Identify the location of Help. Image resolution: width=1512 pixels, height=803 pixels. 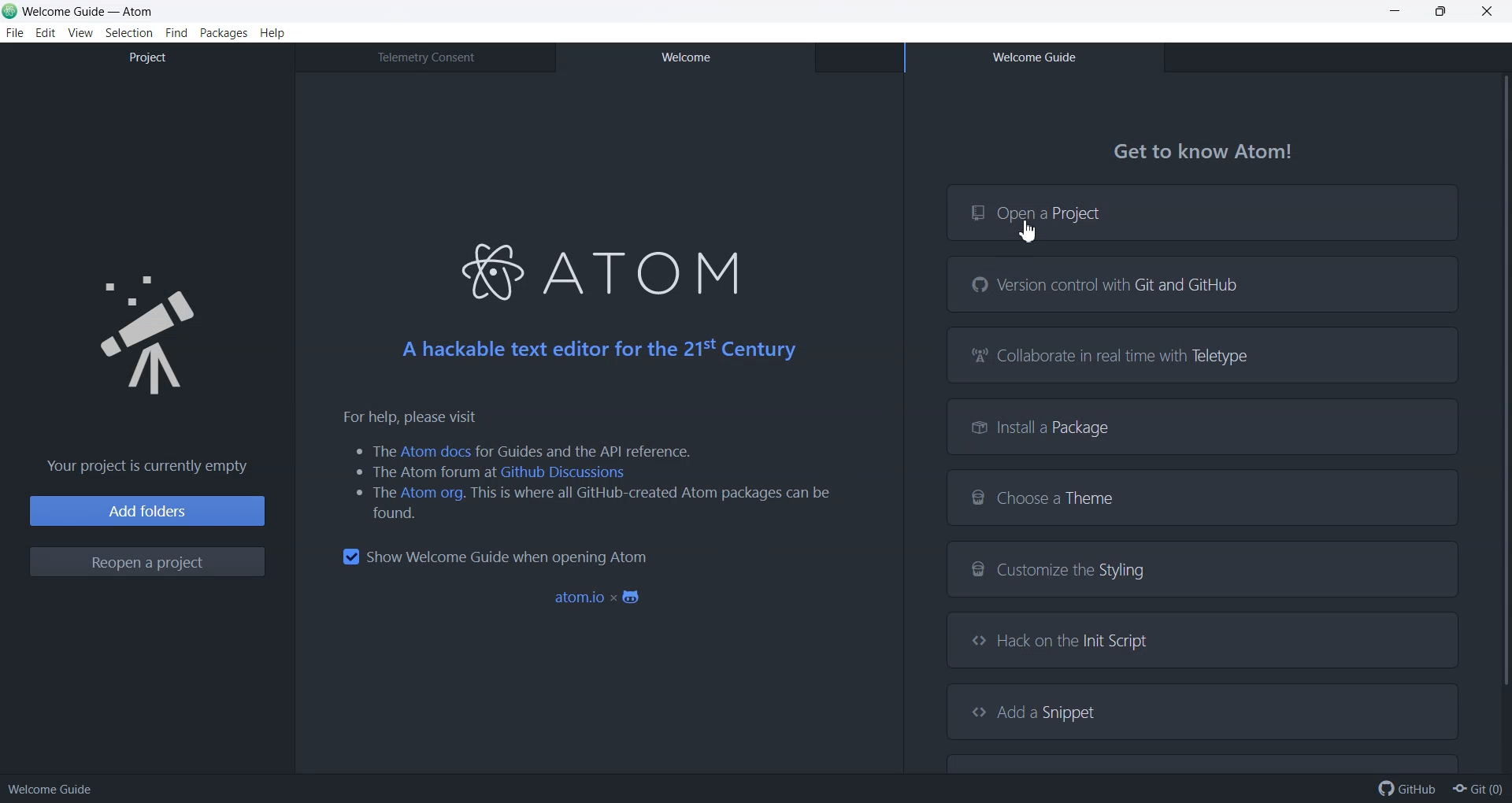
(272, 33).